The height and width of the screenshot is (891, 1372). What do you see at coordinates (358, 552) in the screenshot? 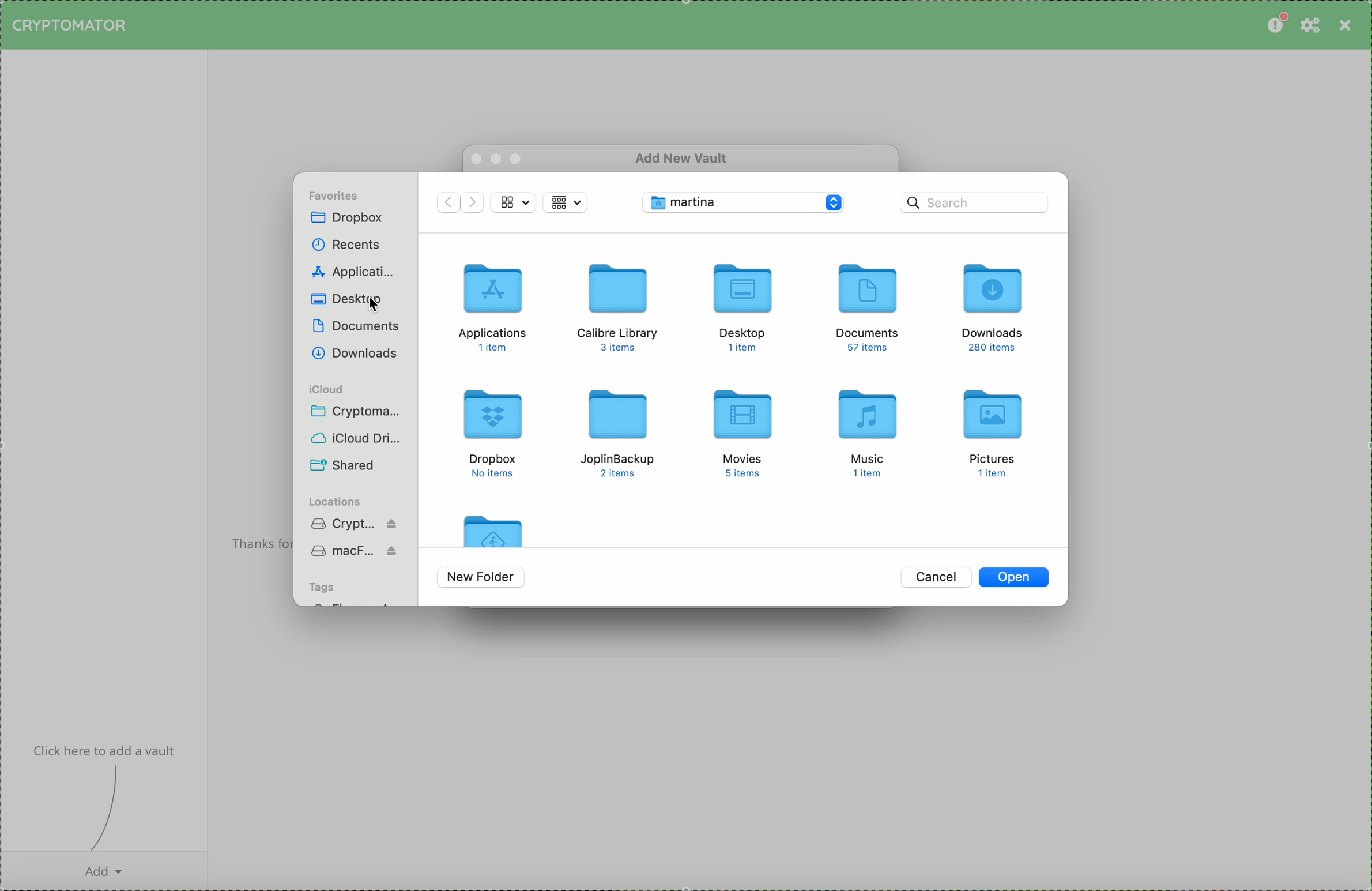
I see `Mac` at bounding box center [358, 552].